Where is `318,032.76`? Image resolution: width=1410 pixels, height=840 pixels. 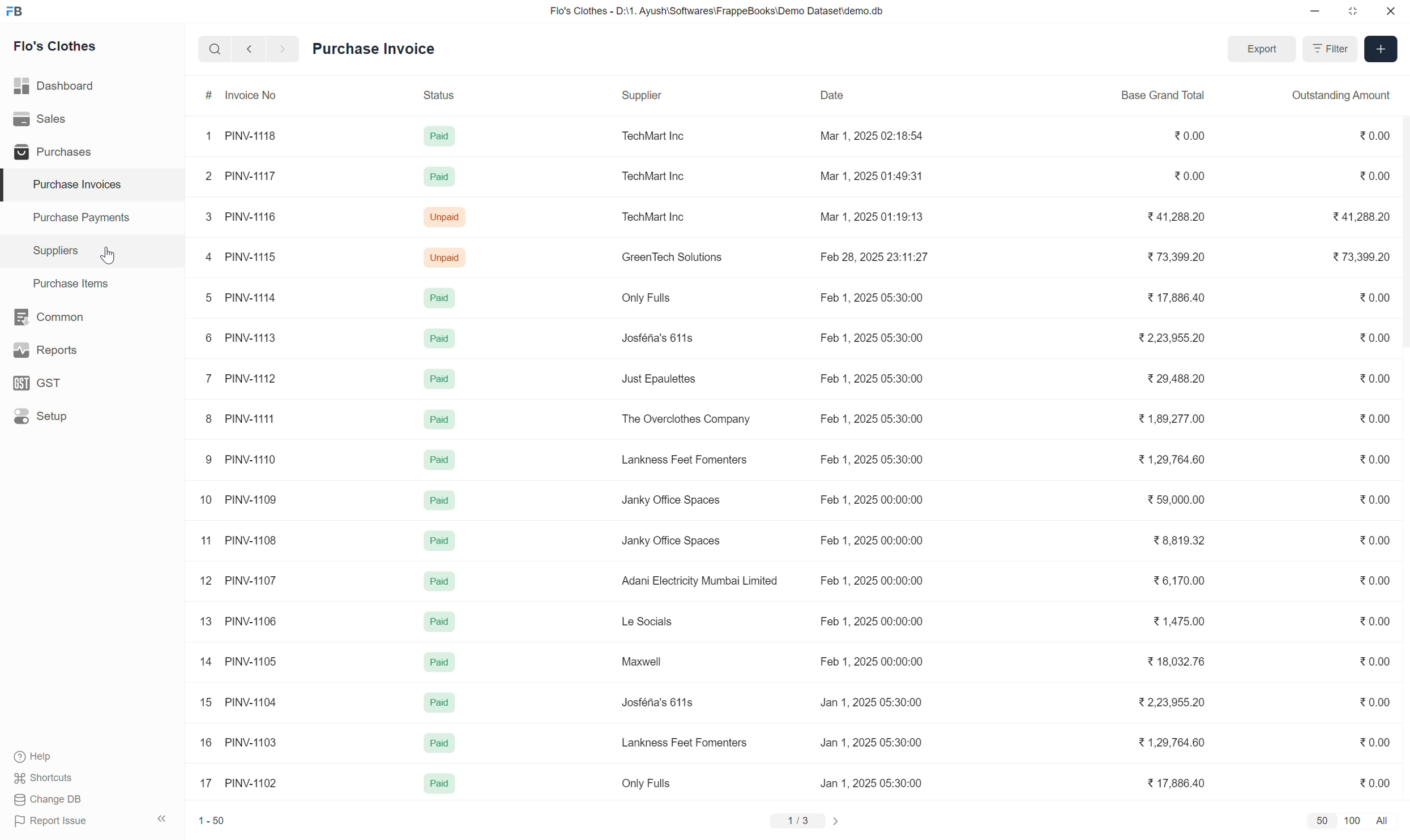
318,032.76 is located at coordinates (1178, 662).